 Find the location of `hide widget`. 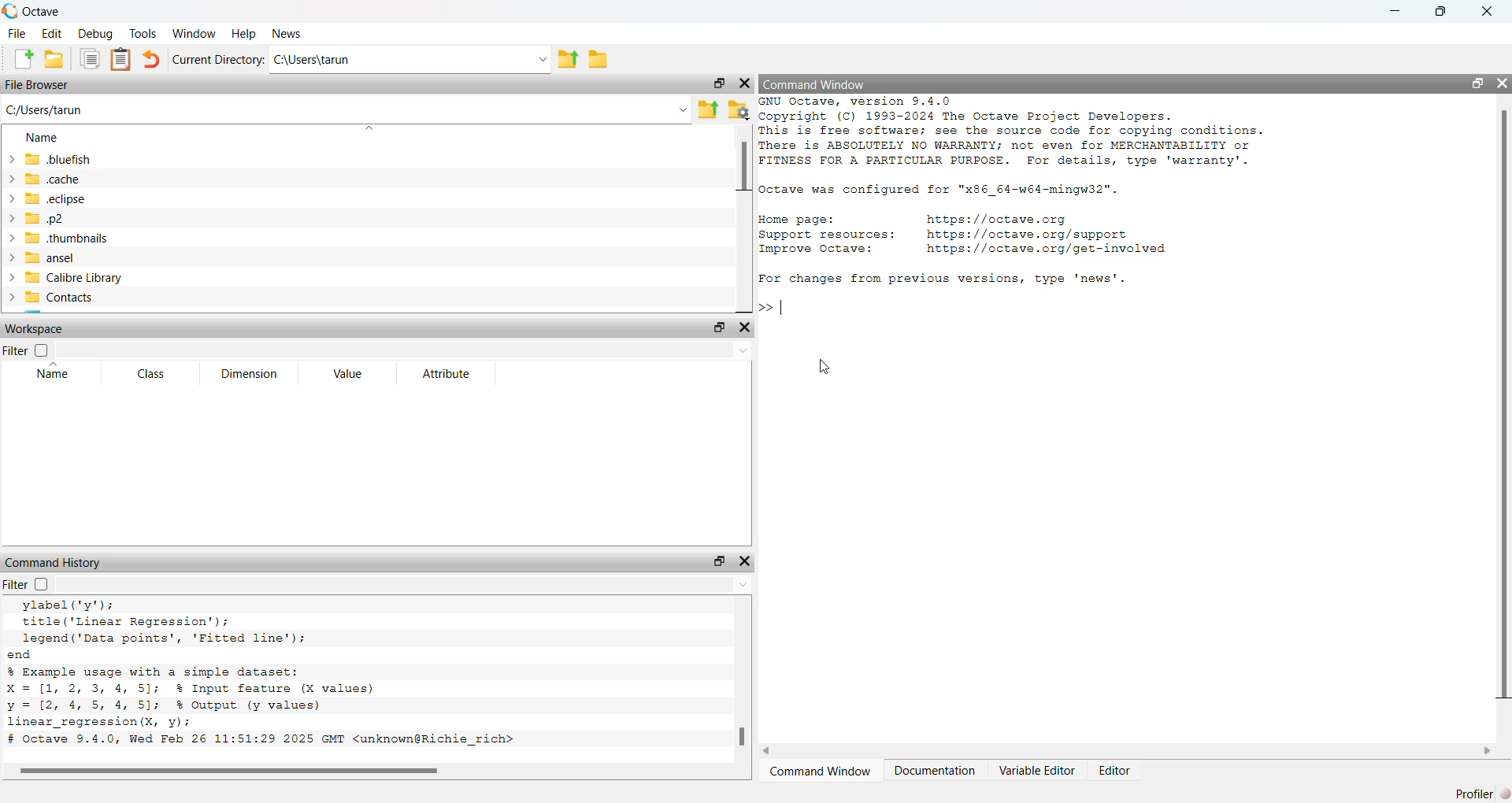

hide widget is located at coordinates (746, 561).